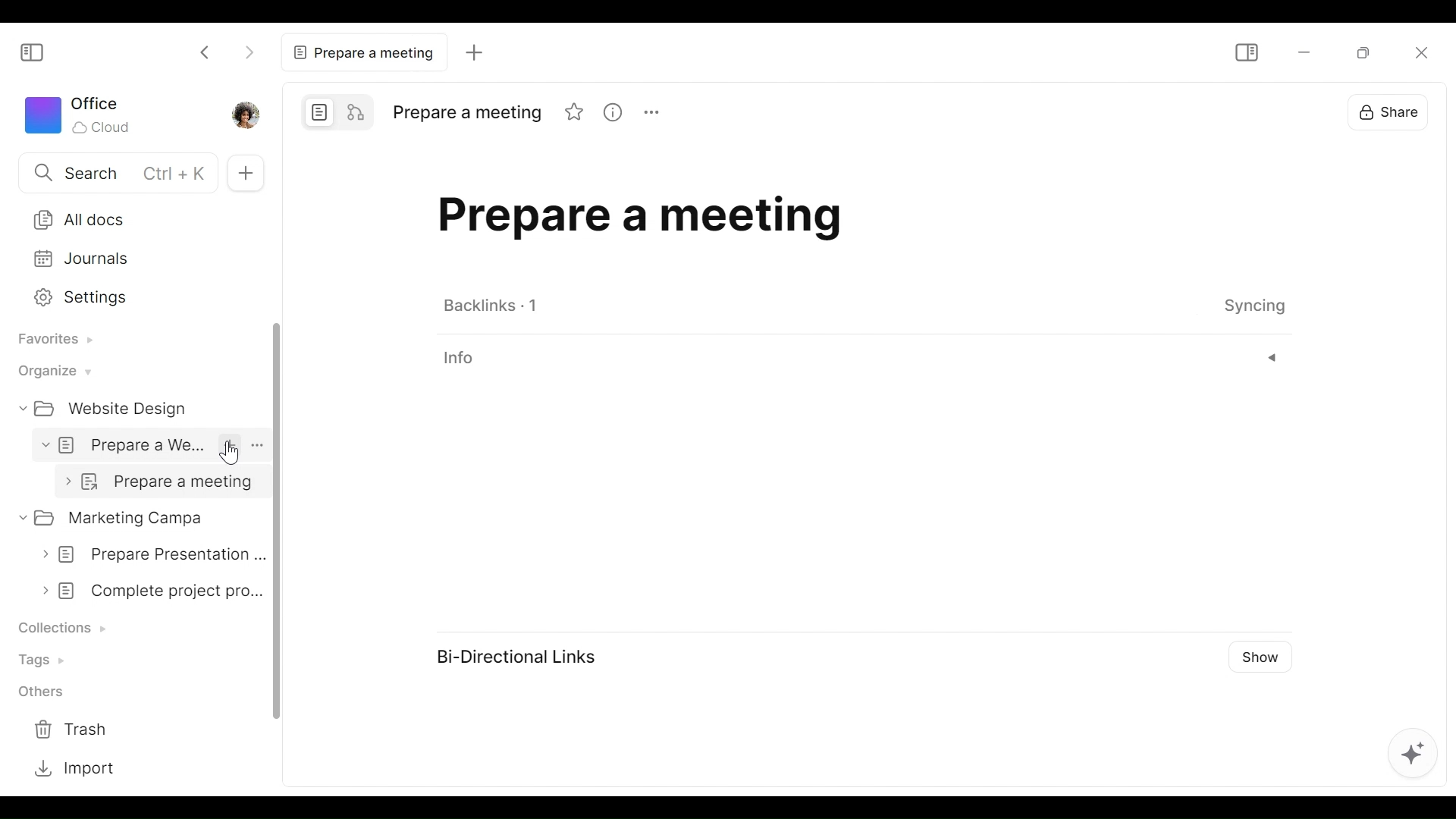 The image size is (1456, 819). I want to click on Restore, so click(1367, 52).